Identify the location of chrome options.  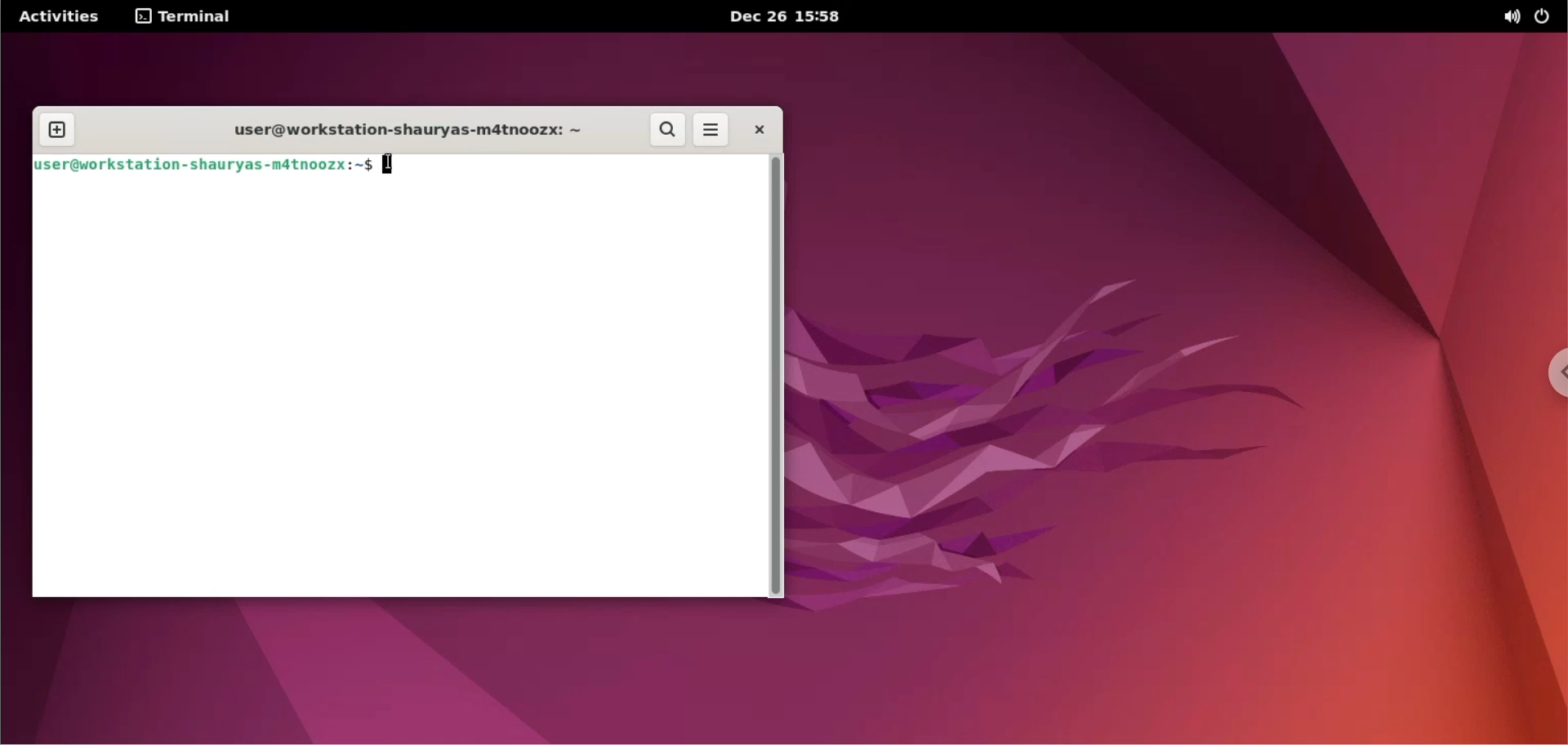
(1554, 376).